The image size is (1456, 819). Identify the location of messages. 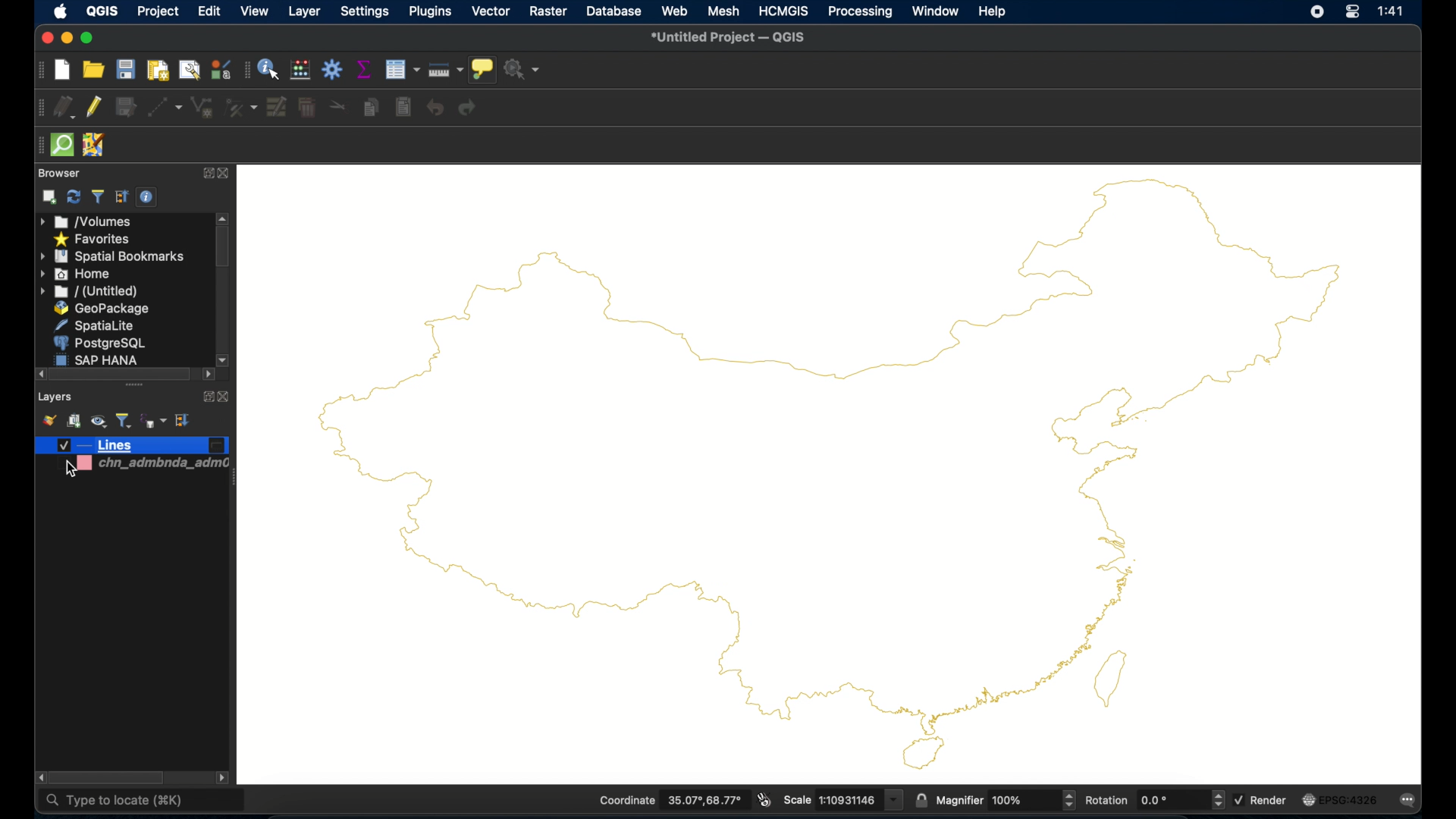
(1410, 800).